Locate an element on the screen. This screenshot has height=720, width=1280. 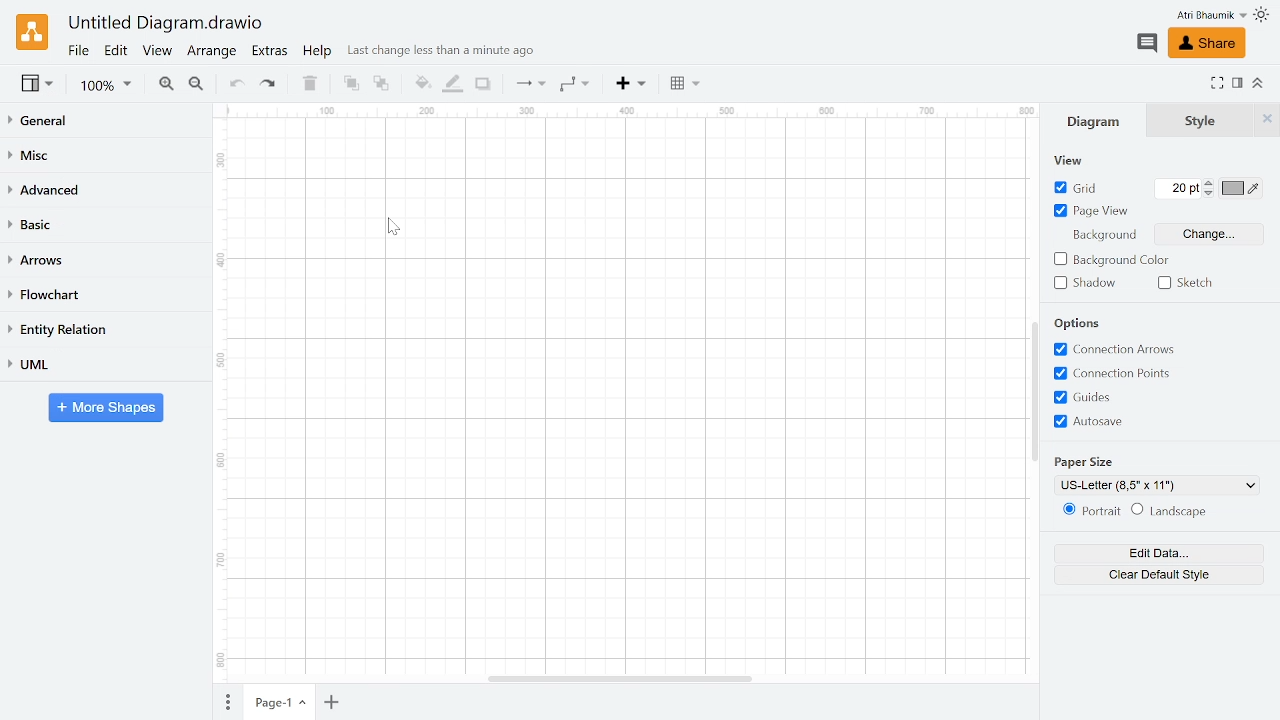
Ruler added to the canvas is located at coordinates (617, 387).